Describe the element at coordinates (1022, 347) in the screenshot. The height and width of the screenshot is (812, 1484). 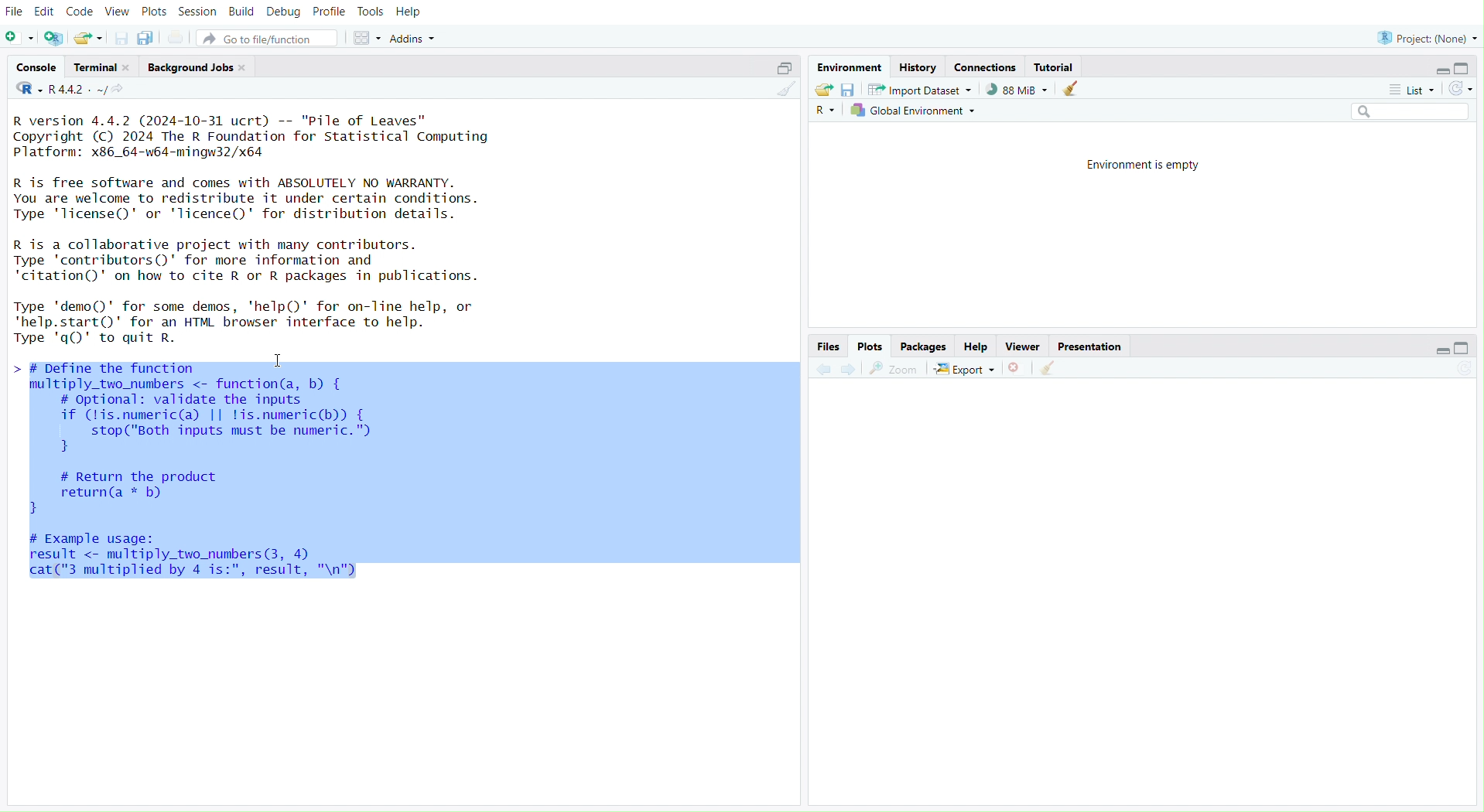
I see `Viewer` at that location.